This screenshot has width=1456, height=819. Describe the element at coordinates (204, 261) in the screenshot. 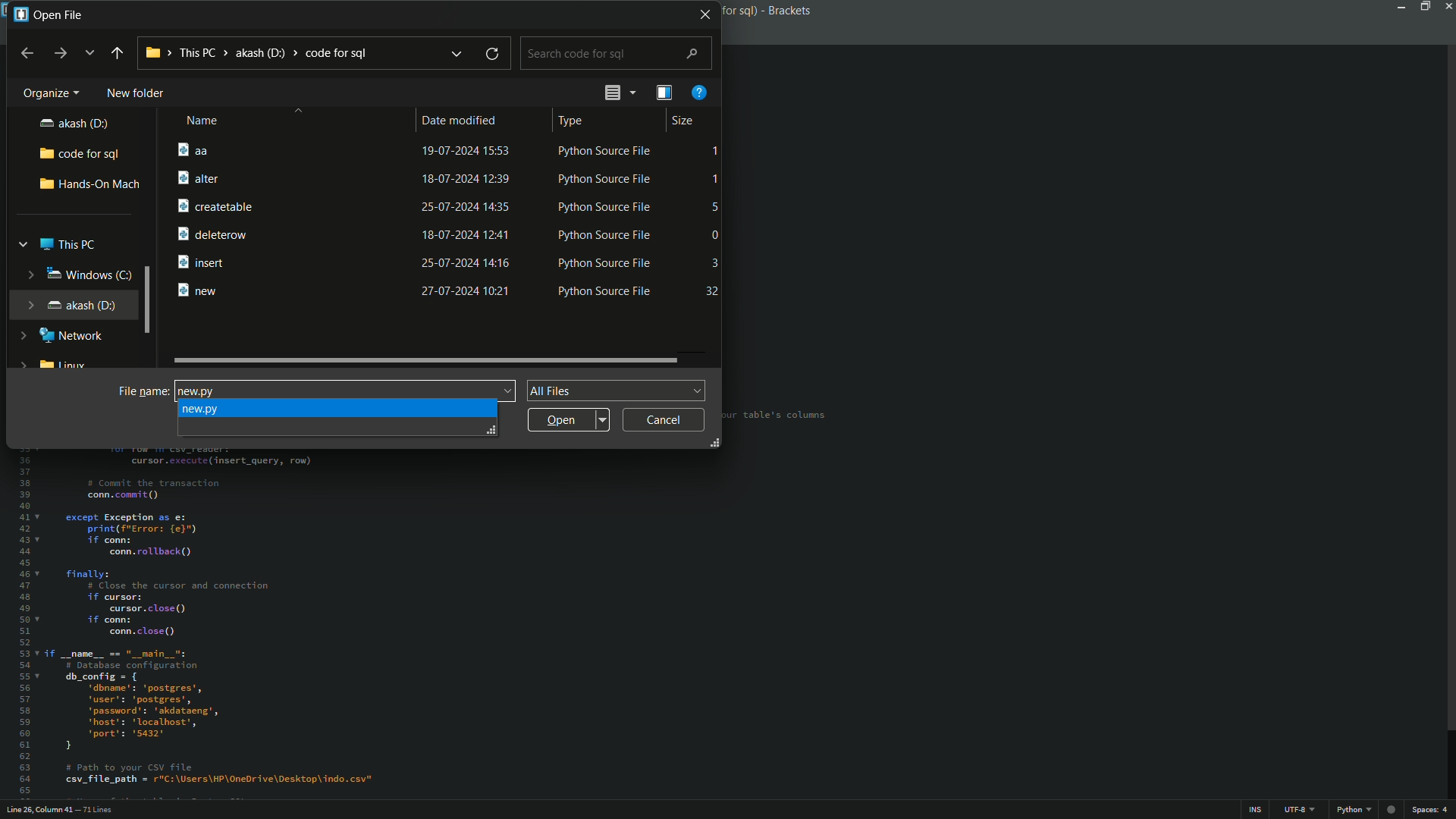

I see `insert` at that location.